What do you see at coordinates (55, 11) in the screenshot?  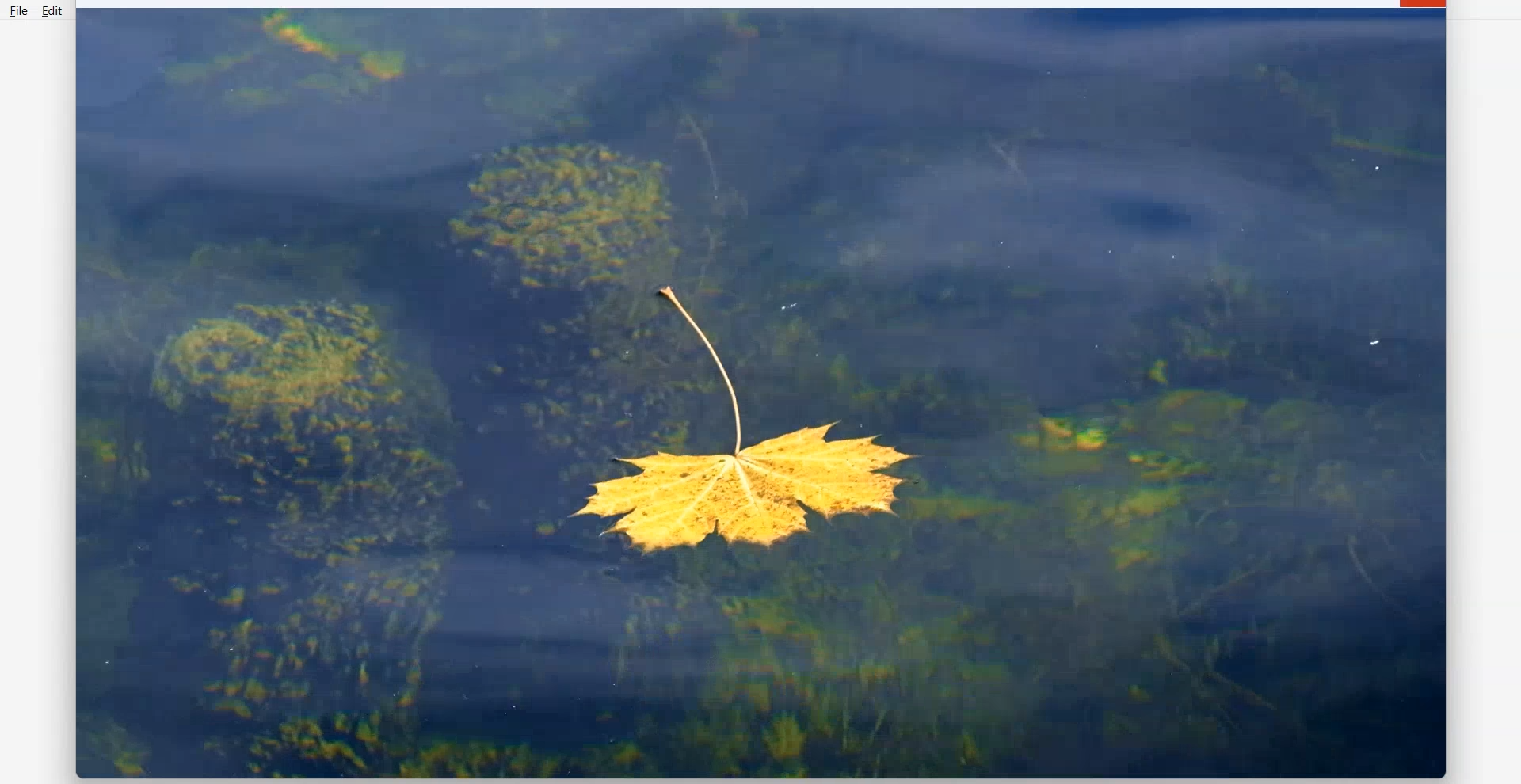 I see `edit` at bounding box center [55, 11].